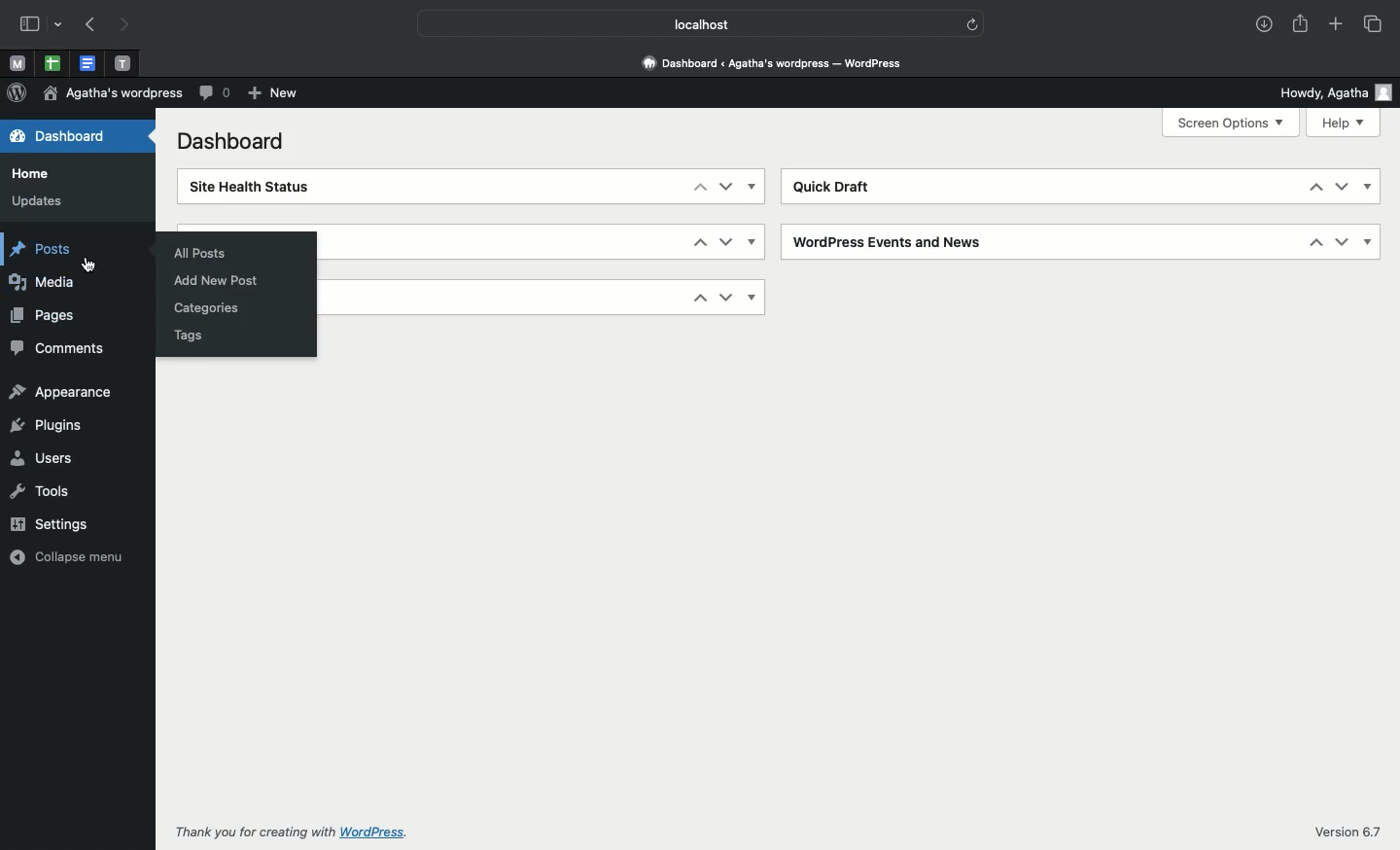  What do you see at coordinates (1347, 830) in the screenshot?
I see `Version 6.7` at bounding box center [1347, 830].